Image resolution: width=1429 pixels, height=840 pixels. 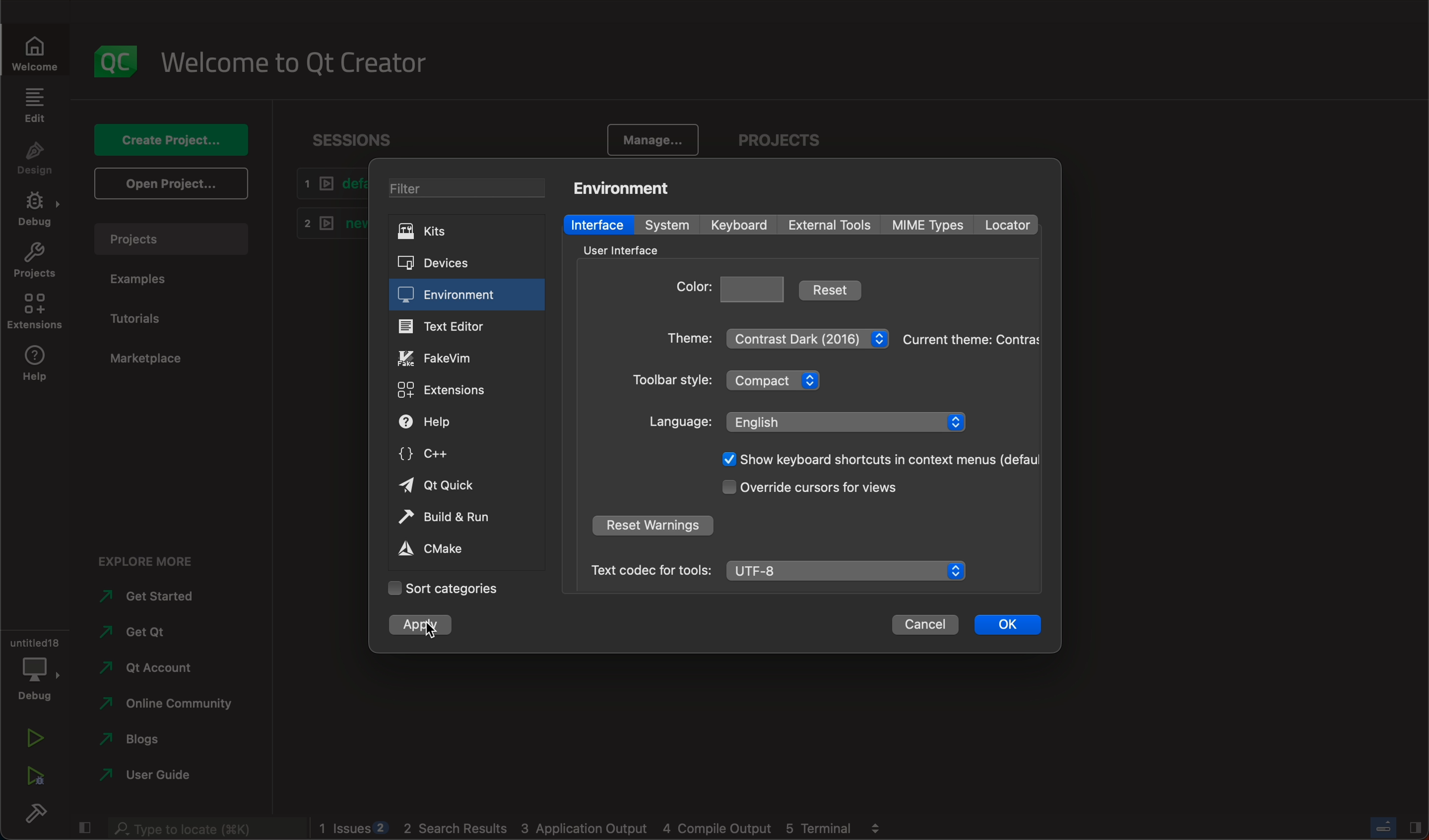 I want to click on examples, so click(x=144, y=279).